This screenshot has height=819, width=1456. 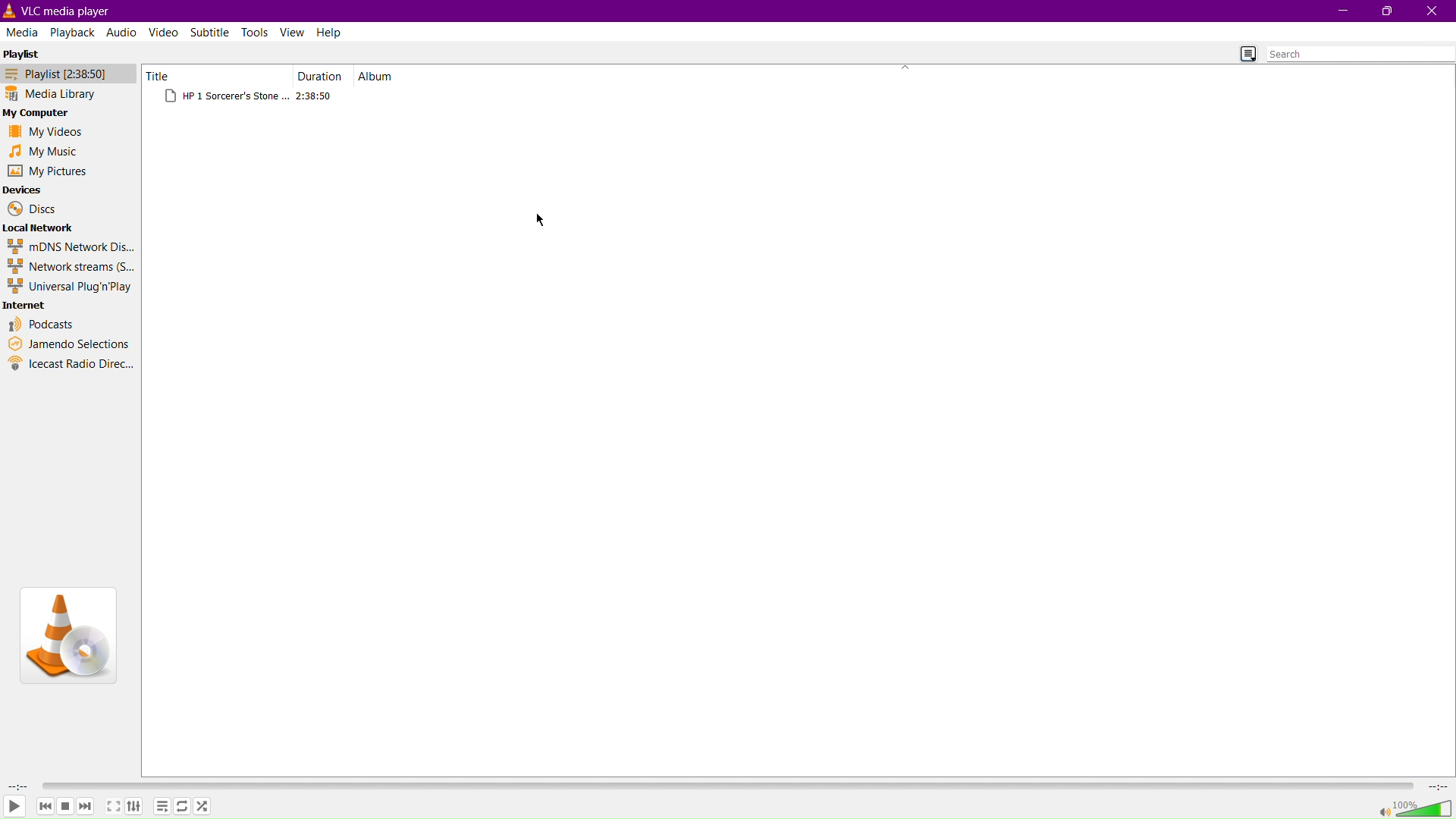 I want to click on My Pictures, so click(x=47, y=171).